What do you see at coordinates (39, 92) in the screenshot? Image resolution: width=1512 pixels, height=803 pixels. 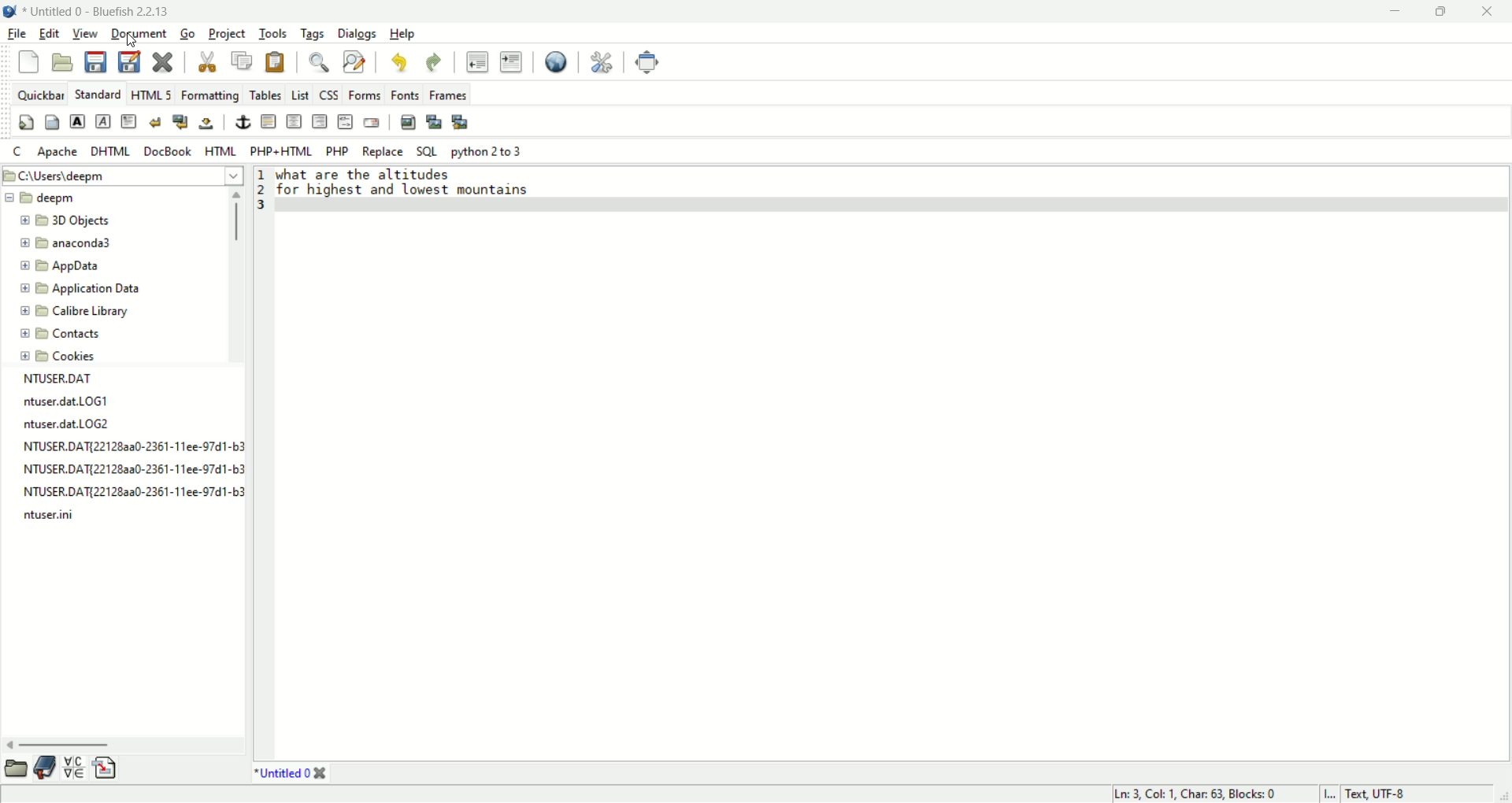 I see `quickbar` at bounding box center [39, 92].